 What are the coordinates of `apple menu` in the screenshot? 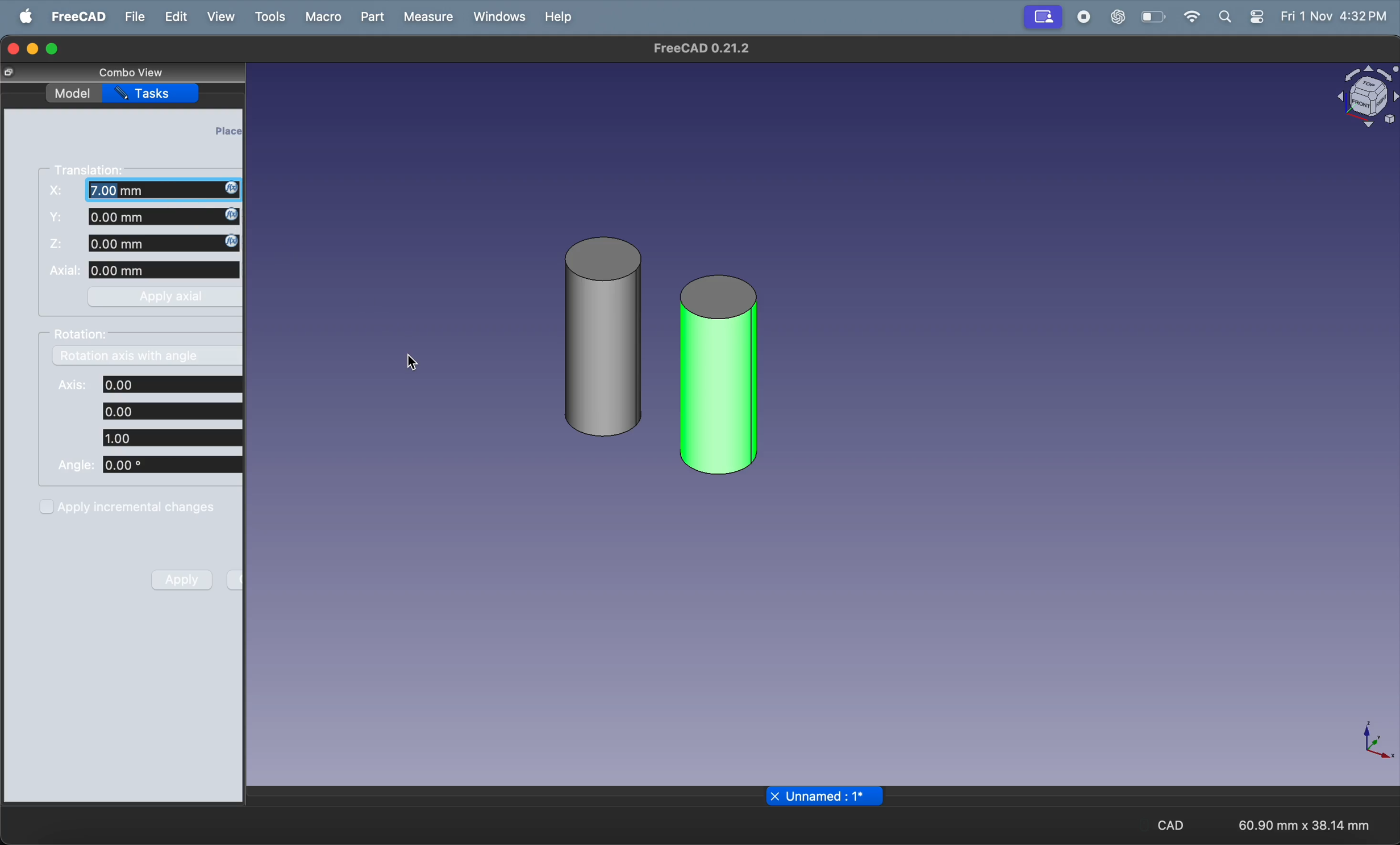 It's located at (21, 16).